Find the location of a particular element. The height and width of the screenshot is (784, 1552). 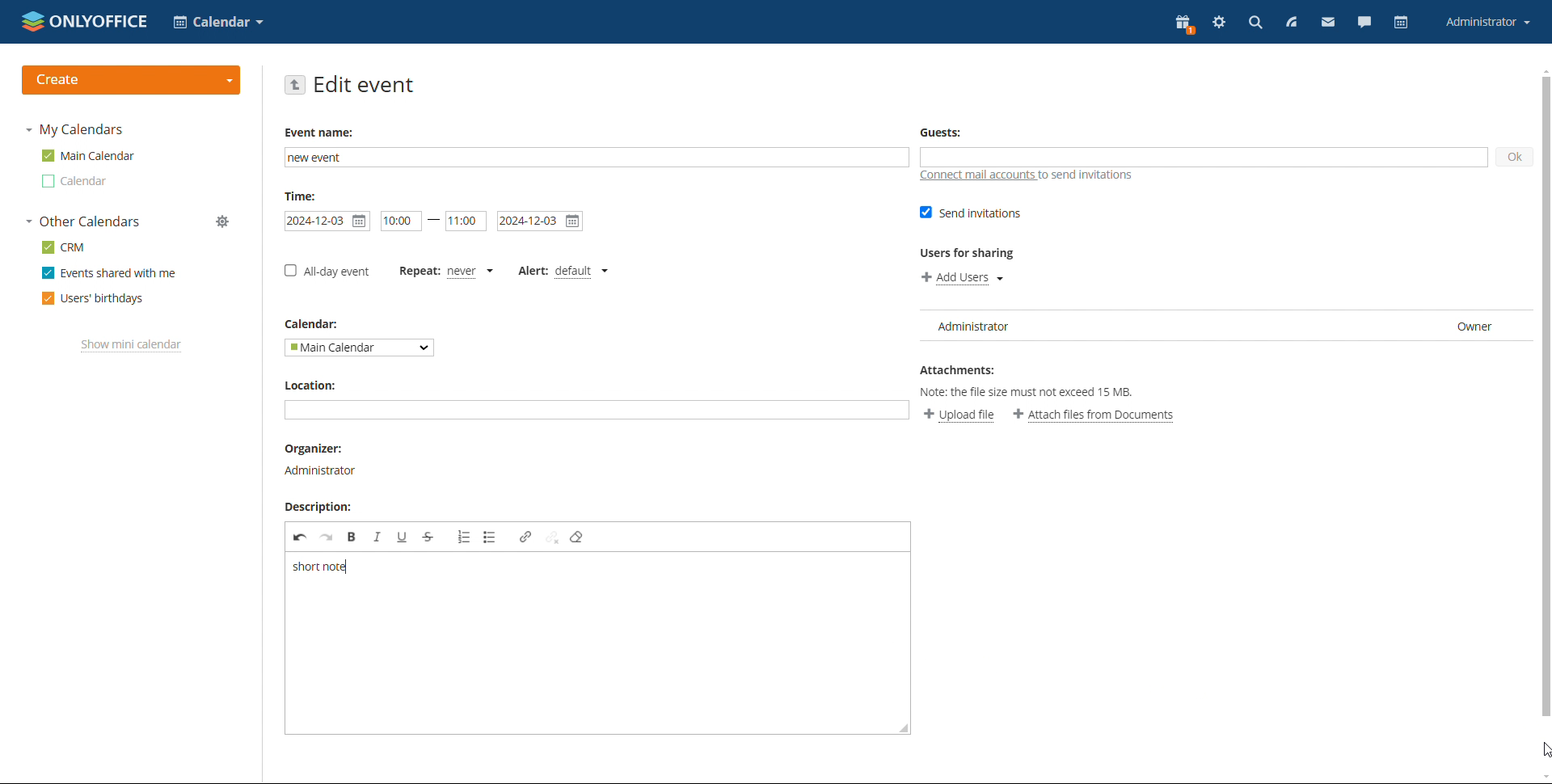

set repetition is located at coordinates (445, 273).